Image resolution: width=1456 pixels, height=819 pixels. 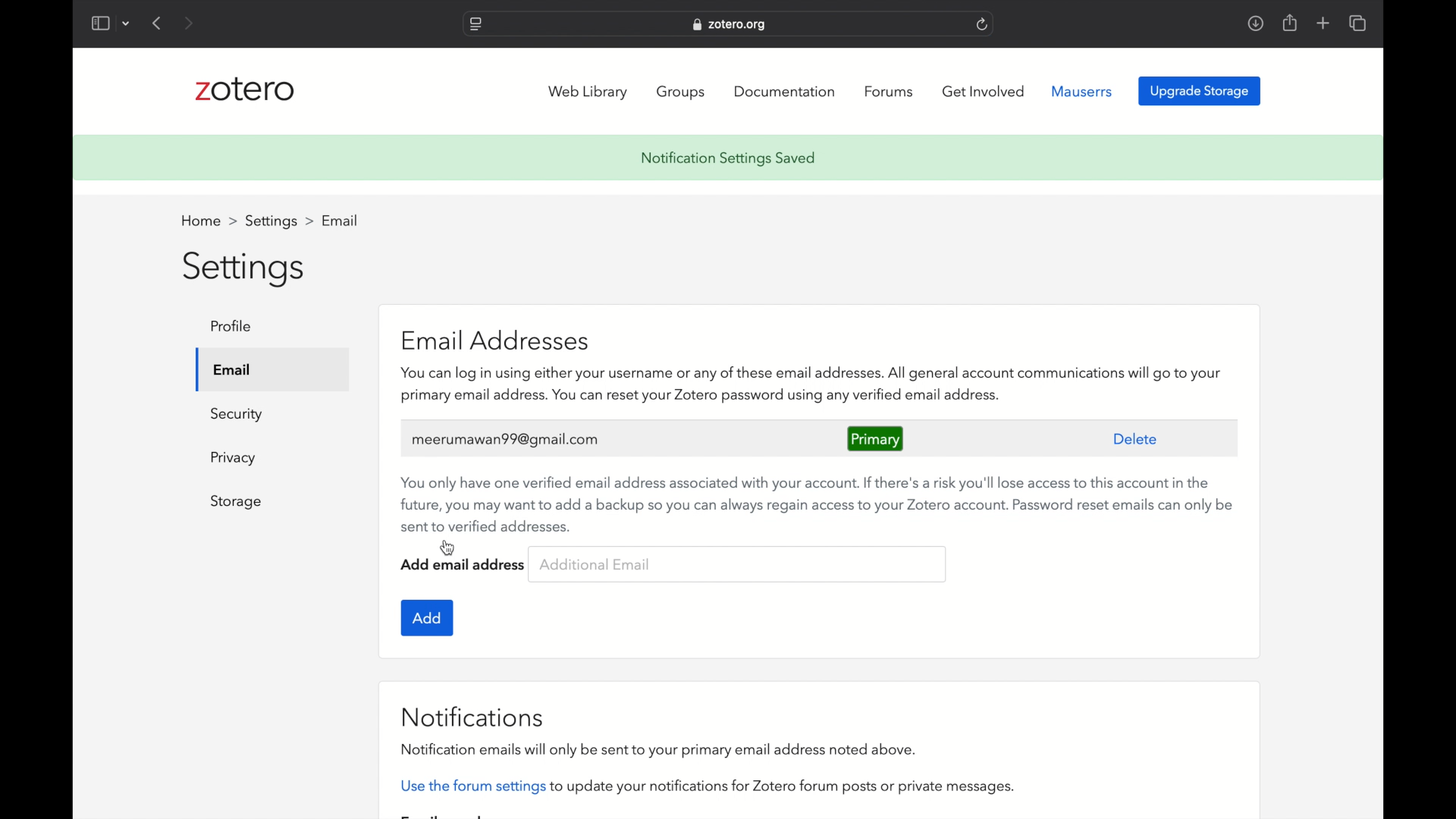 I want to click on use the forum settings too update your notifications for zotero forum posts or private messages, so click(x=706, y=786).